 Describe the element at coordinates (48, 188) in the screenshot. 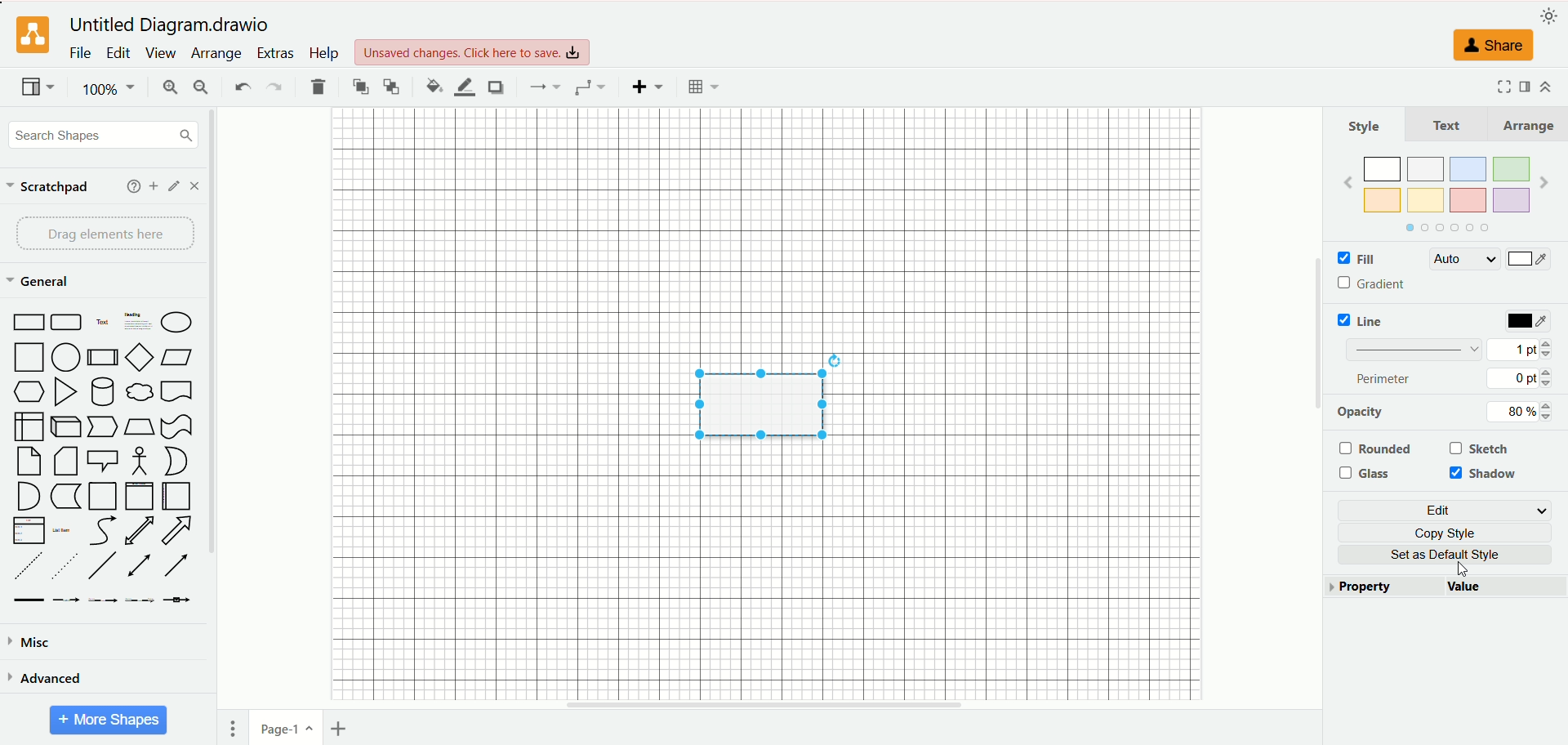

I see `scratchpad` at that location.